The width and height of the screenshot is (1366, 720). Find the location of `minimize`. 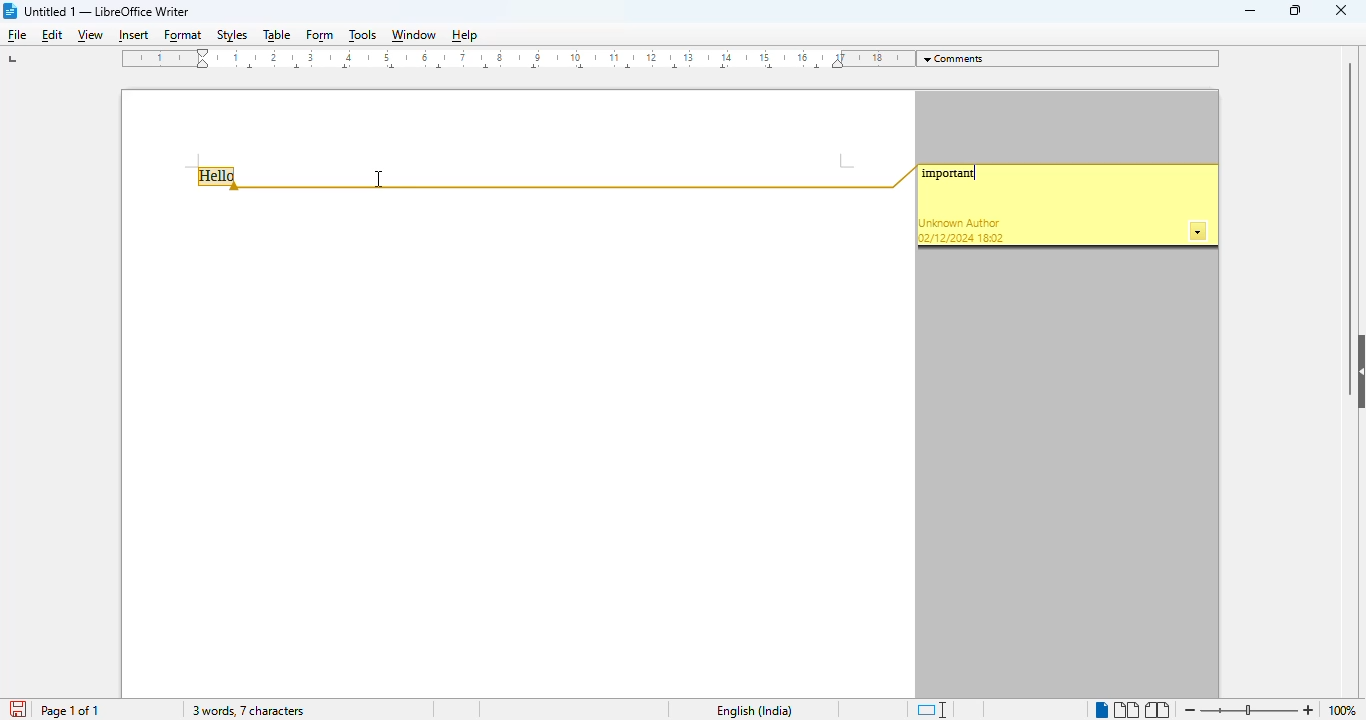

minimize is located at coordinates (1251, 11).